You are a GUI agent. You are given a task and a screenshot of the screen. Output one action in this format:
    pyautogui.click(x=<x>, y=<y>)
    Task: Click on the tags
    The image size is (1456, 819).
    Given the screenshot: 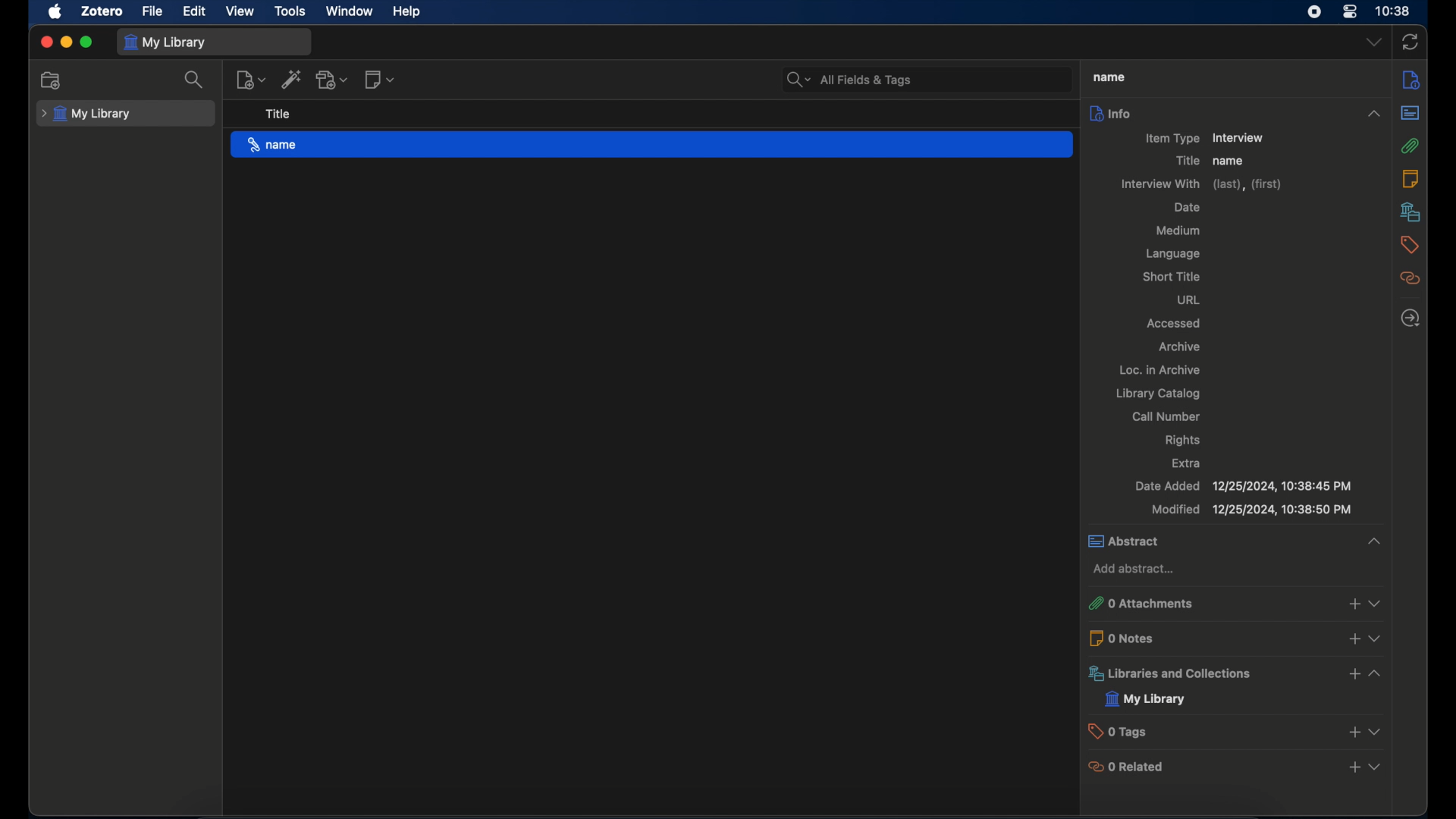 What is the action you would take?
    pyautogui.click(x=1410, y=244)
    